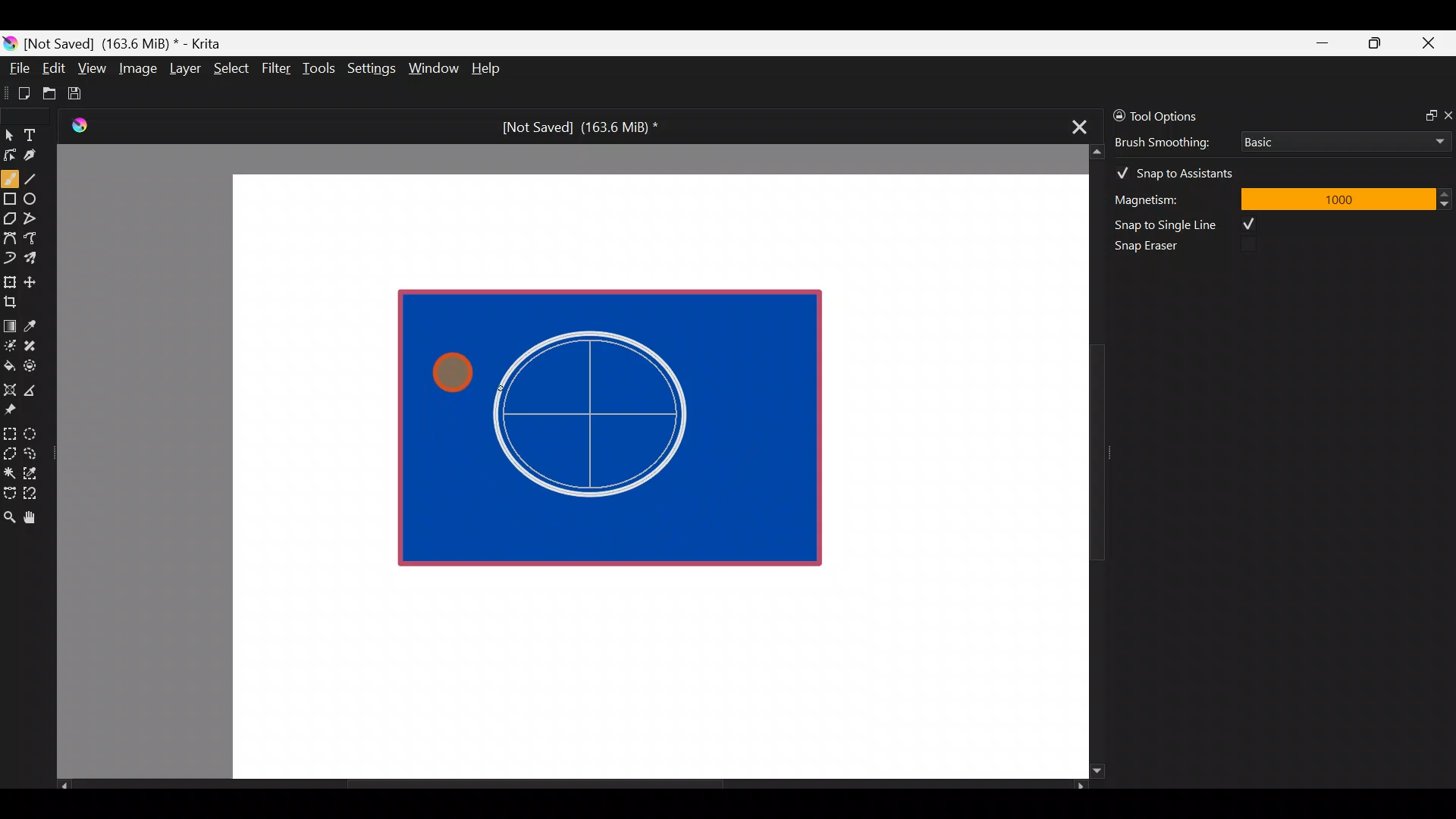 The width and height of the screenshot is (1456, 819). Describe the element at coordinates (33, 472) in the screenshot. I see `Similar color selection tool` at that location.